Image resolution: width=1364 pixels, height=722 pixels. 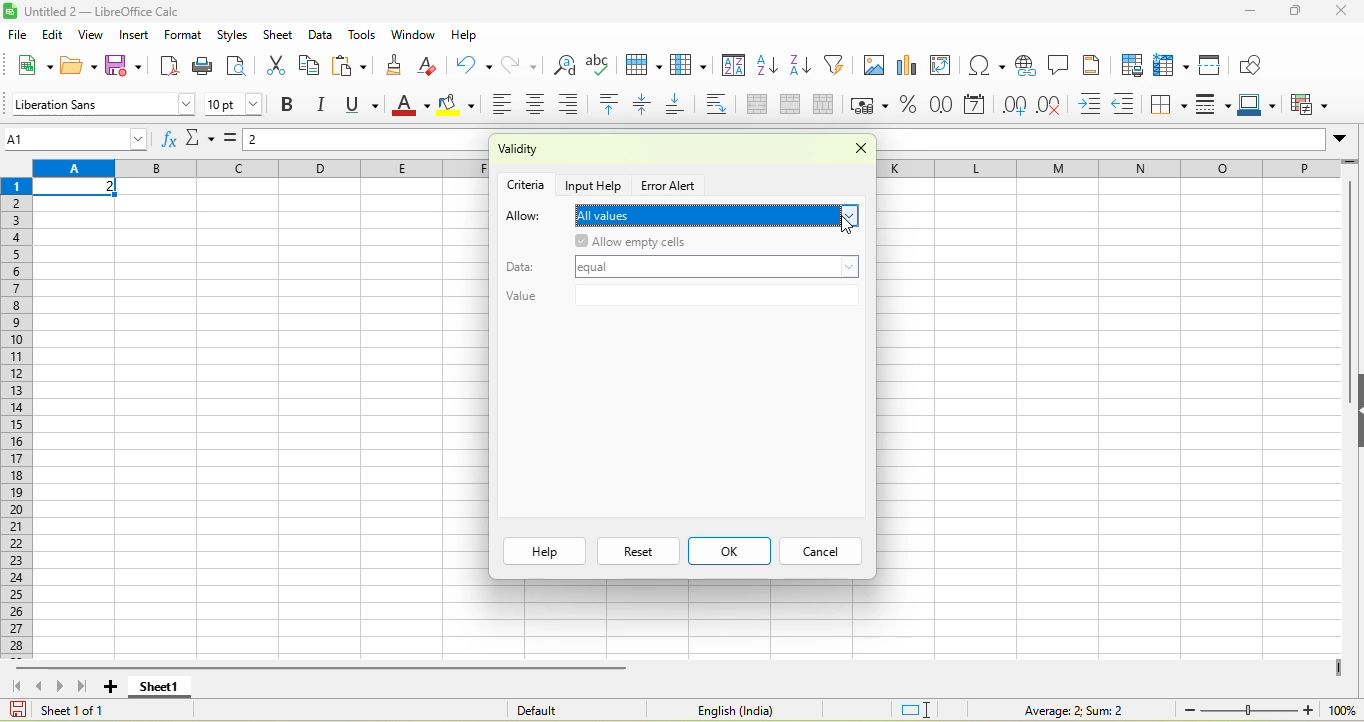 I want to click on center vertically, so click(x=648, y=105).